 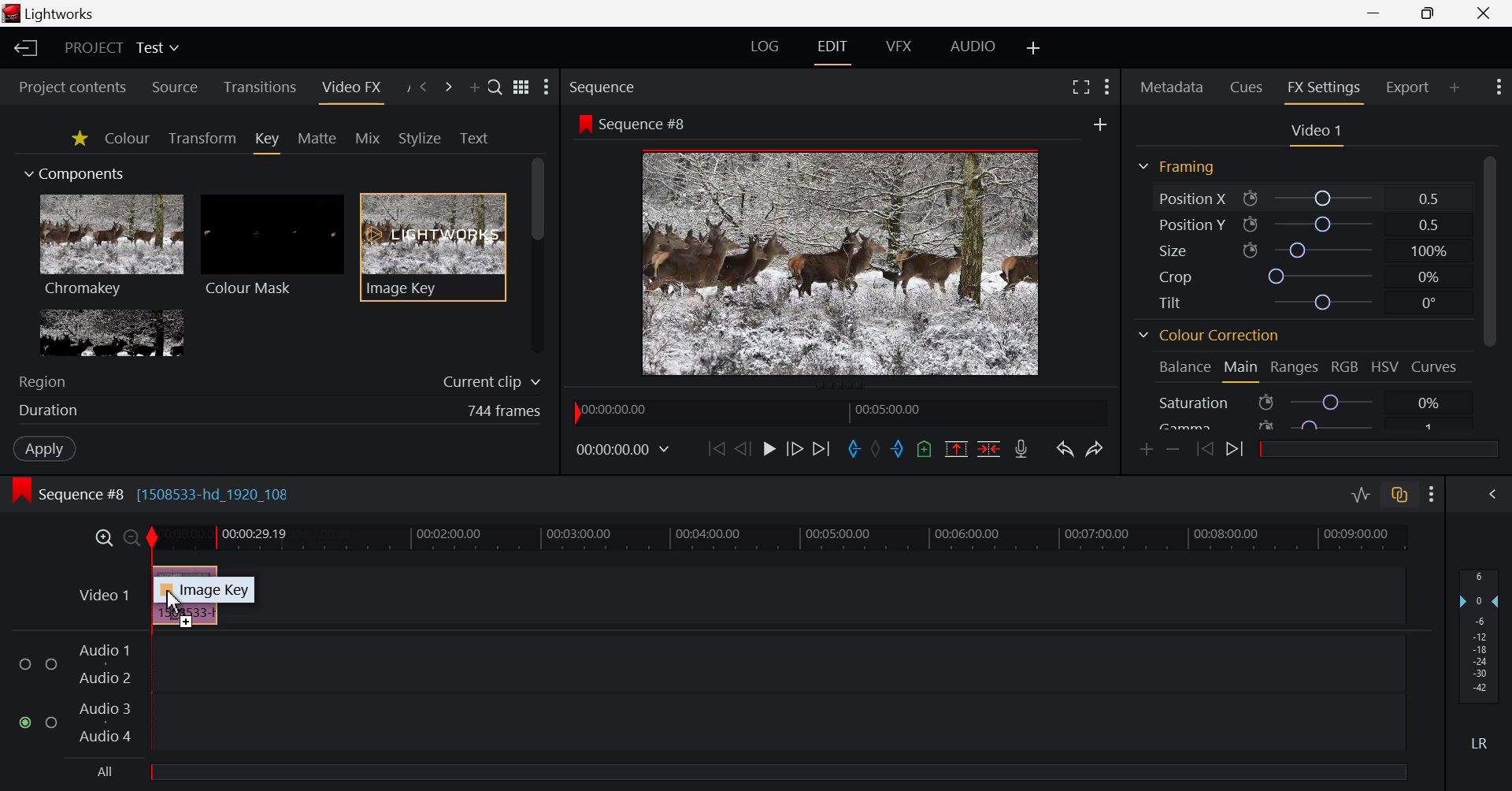 I want to click on checked checkbox, so click(x=25, y=721).